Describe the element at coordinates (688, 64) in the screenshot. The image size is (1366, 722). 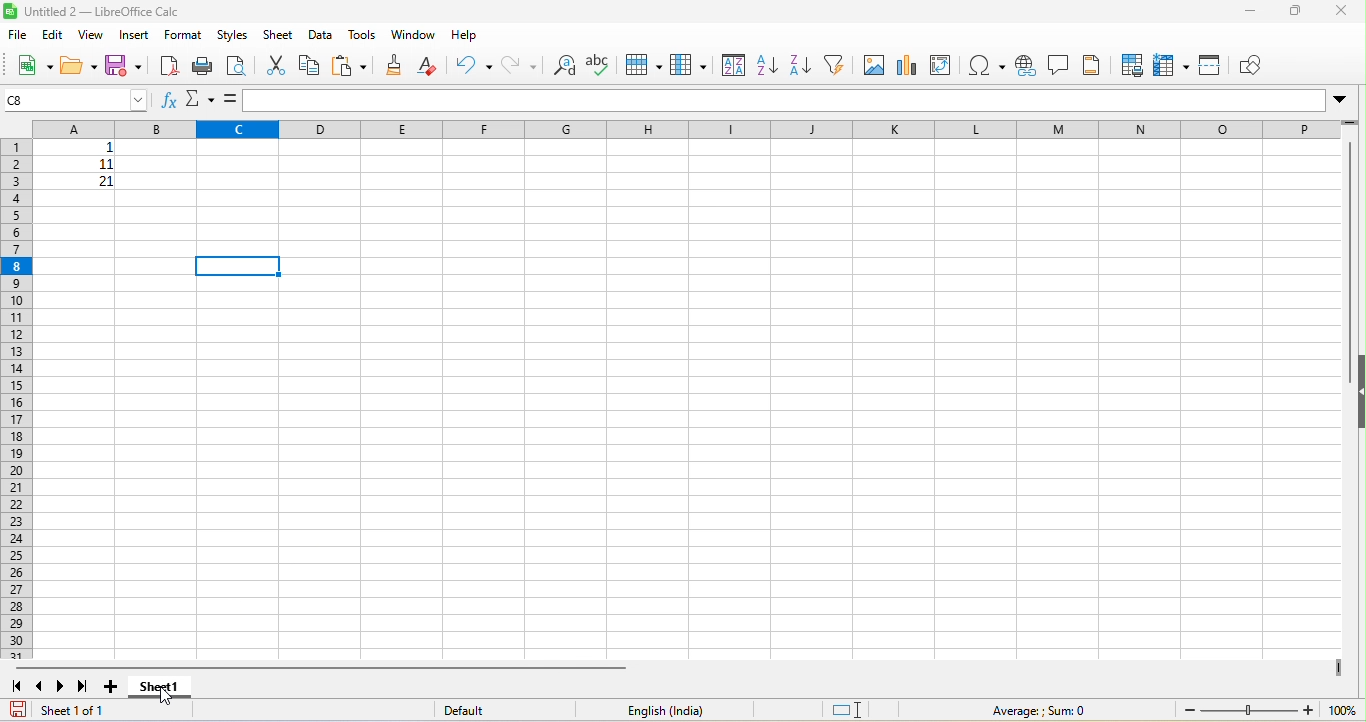
I see `column` at that location.